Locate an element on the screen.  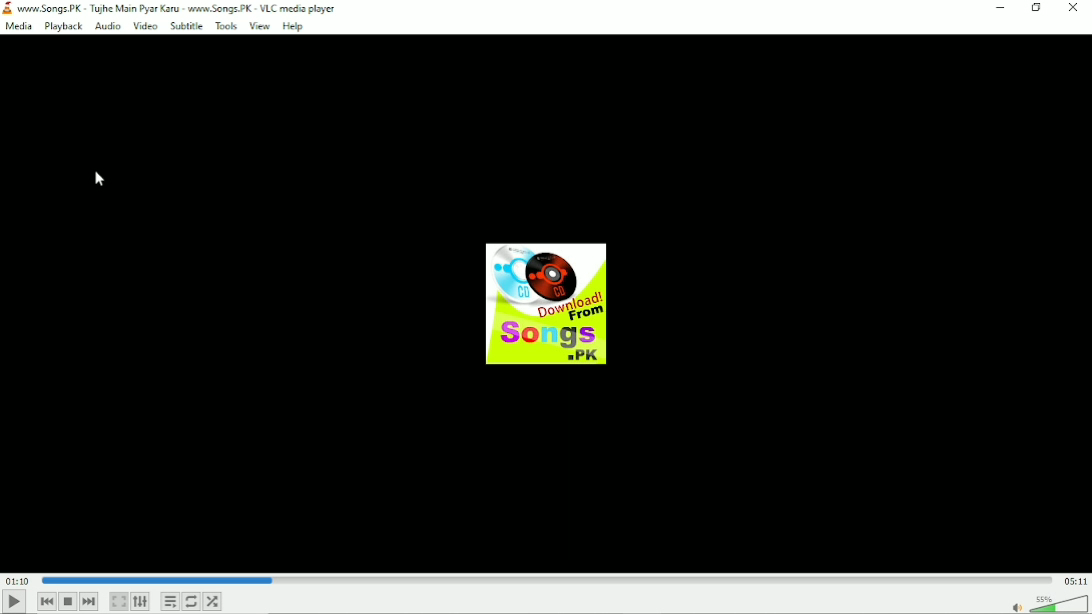
Video is located at coordinates (145, 26).